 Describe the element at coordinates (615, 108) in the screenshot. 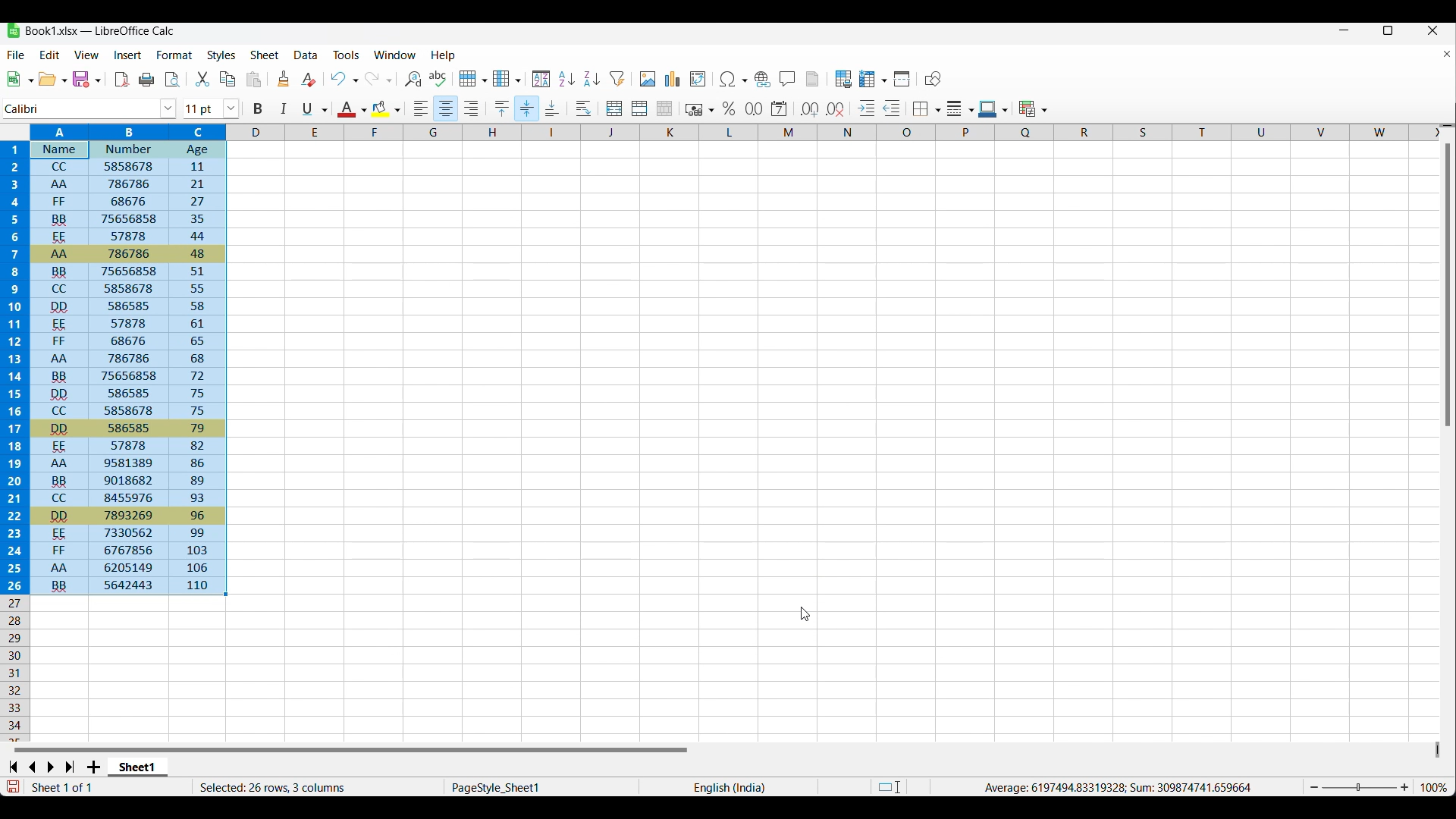

I see `Merge and center or unmerge` at that location.